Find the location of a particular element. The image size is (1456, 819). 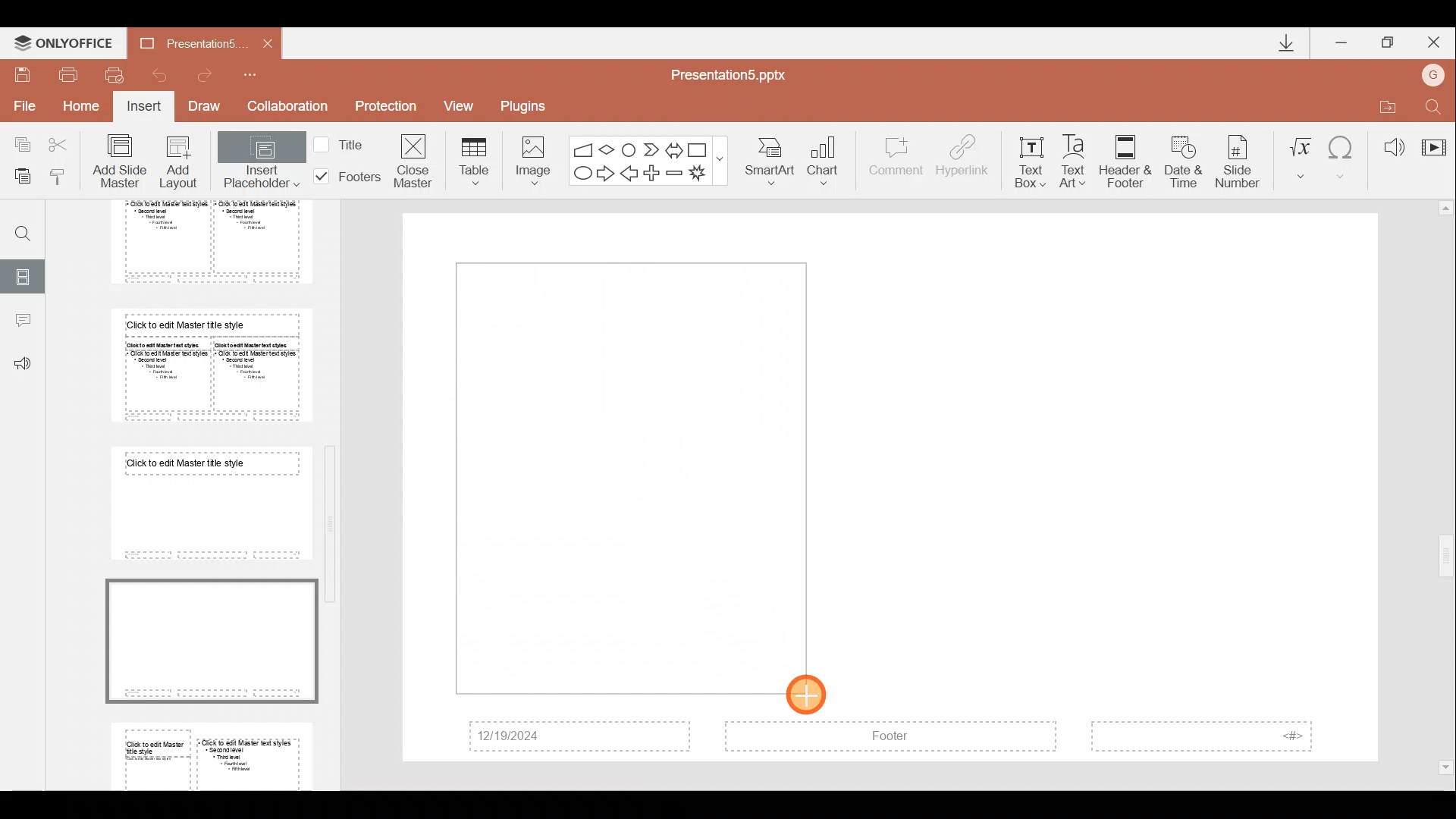

Insert is located at coordinates (145, 108).